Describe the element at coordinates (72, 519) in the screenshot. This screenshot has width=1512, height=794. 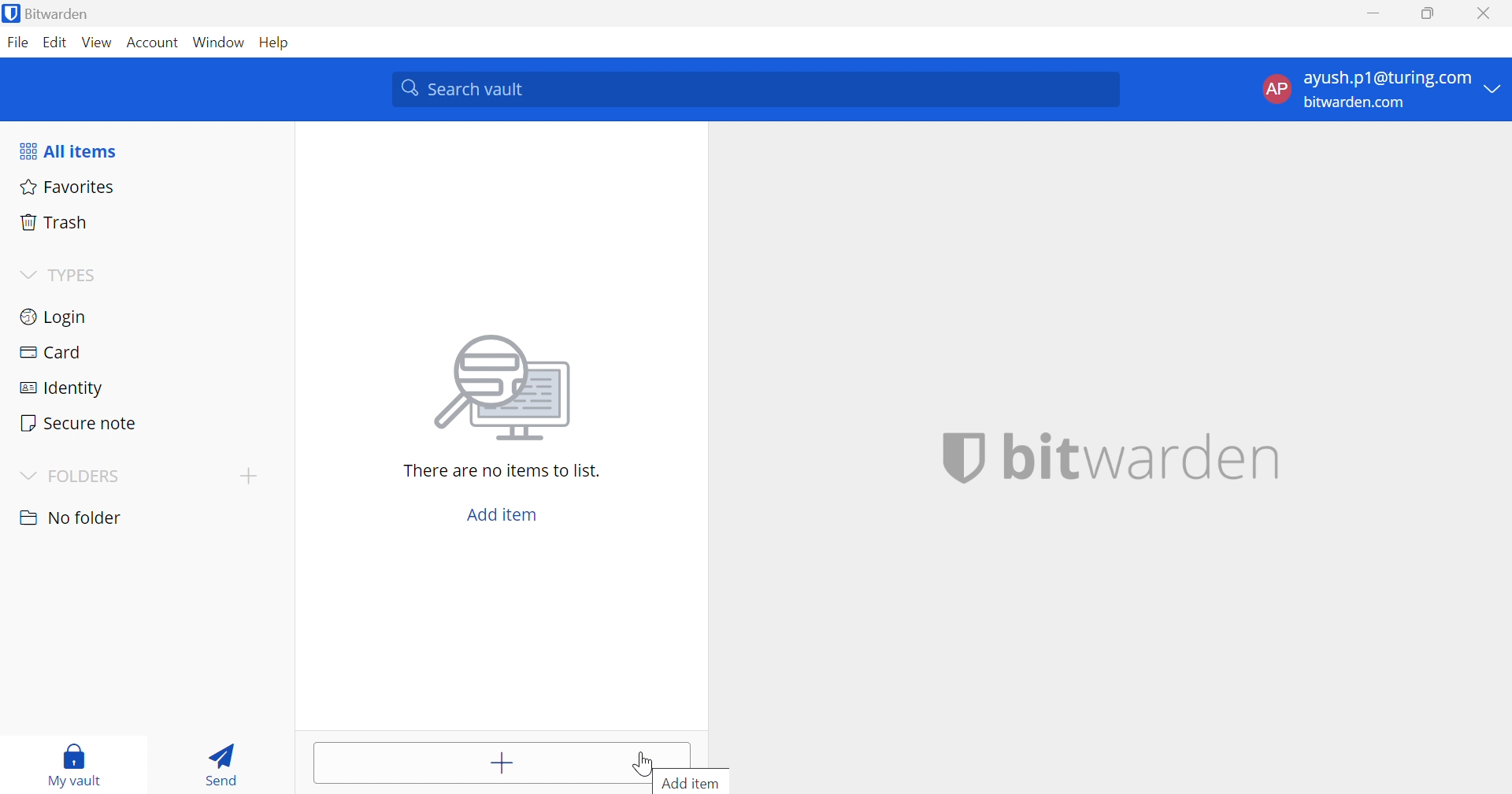
I see `No folder` at that location.